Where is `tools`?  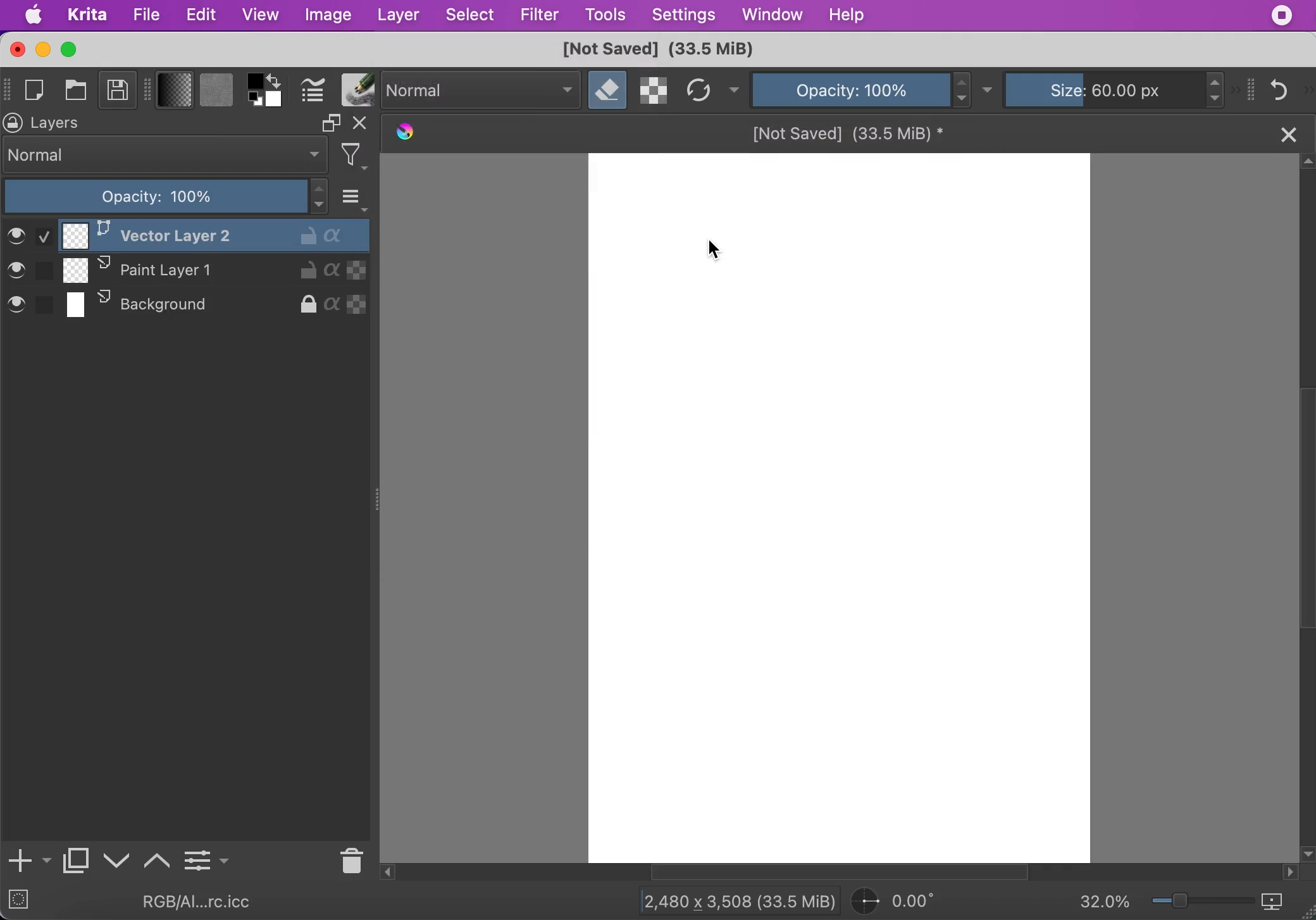 tools is located at coordinates (605, 16).